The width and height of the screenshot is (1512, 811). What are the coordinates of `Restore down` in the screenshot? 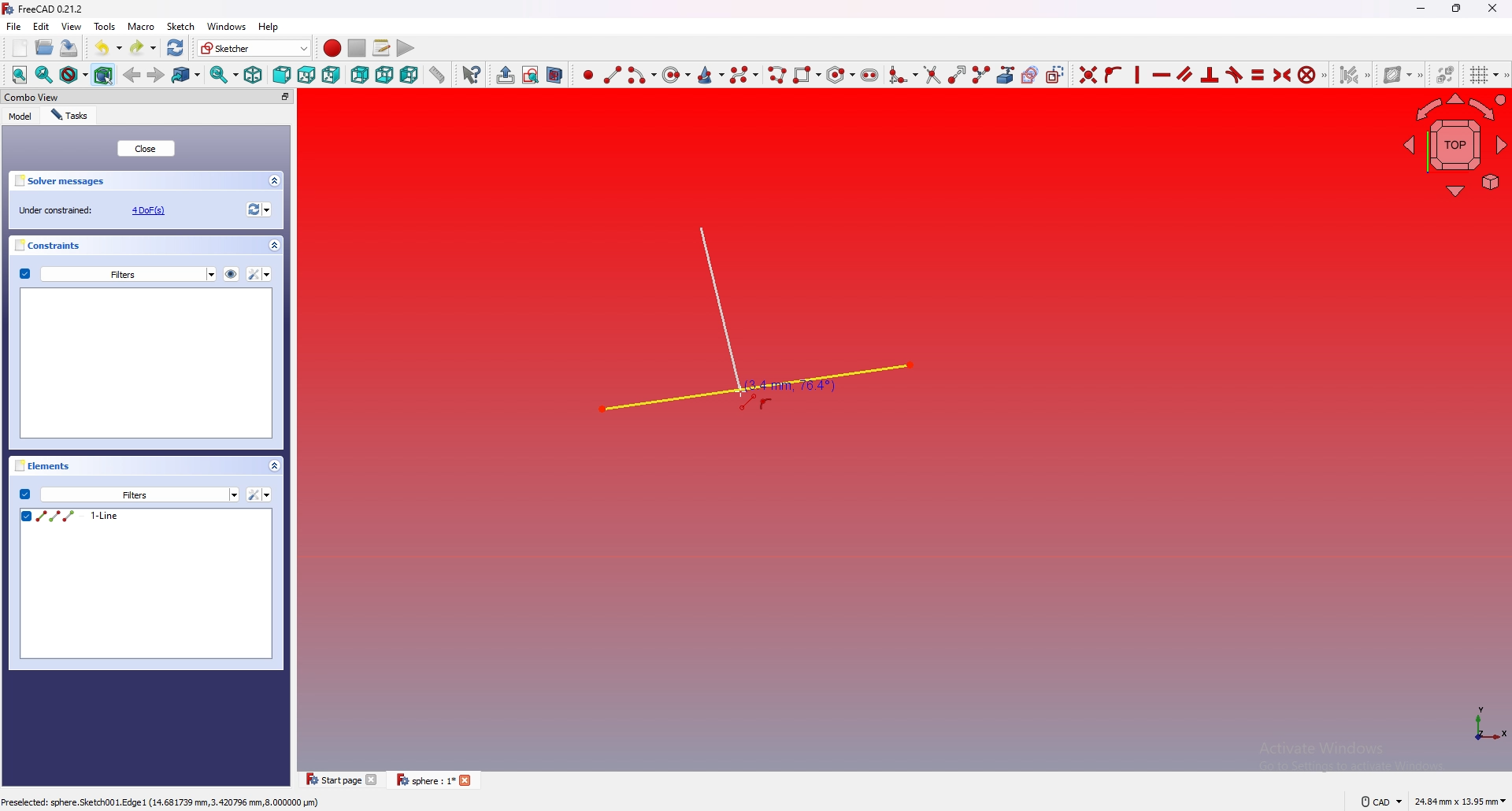 It's located at (1458, 8).